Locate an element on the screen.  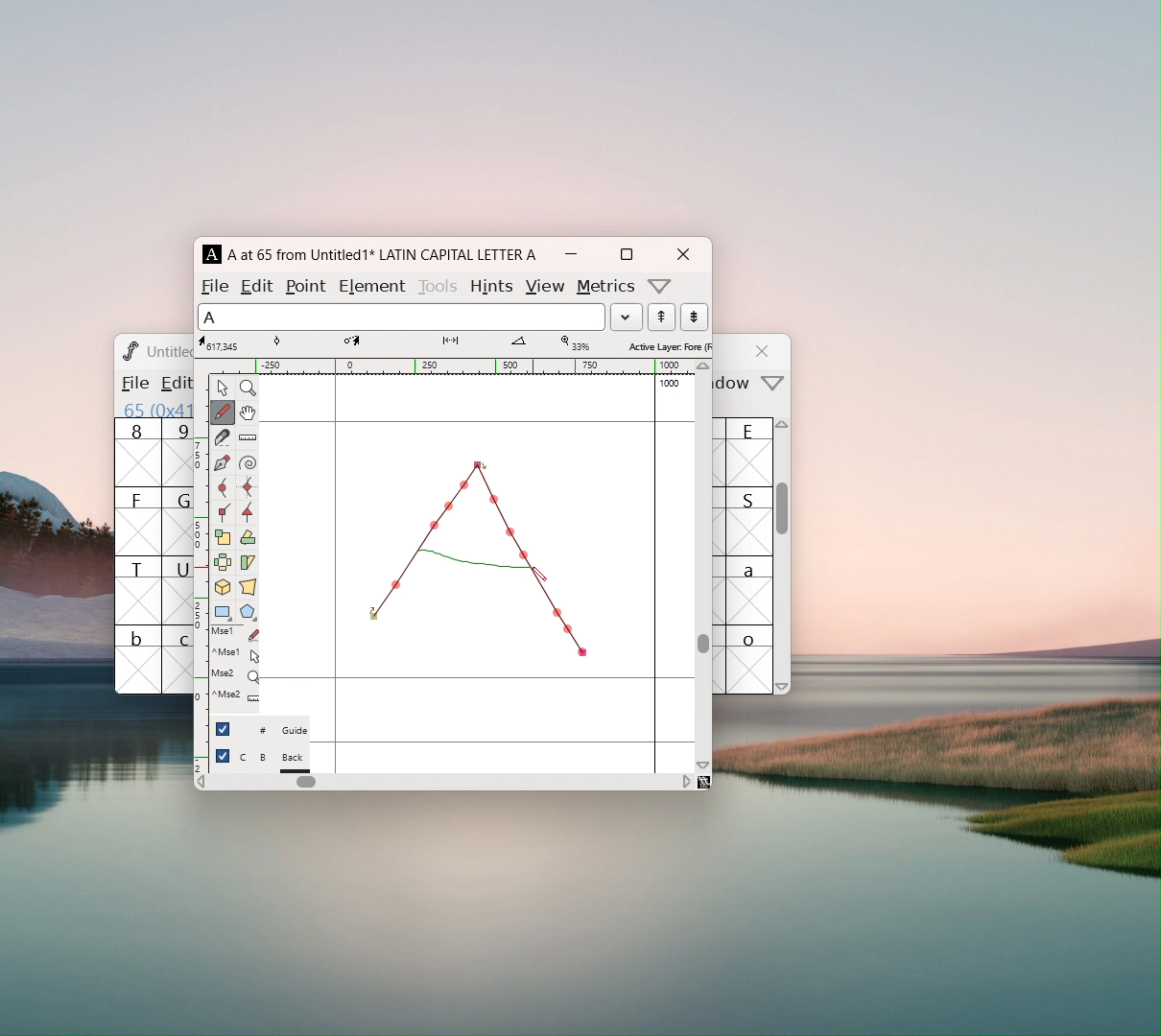
Untitled? Untitled1.sfd (1508859-1) is located at coordinates (170, 351).